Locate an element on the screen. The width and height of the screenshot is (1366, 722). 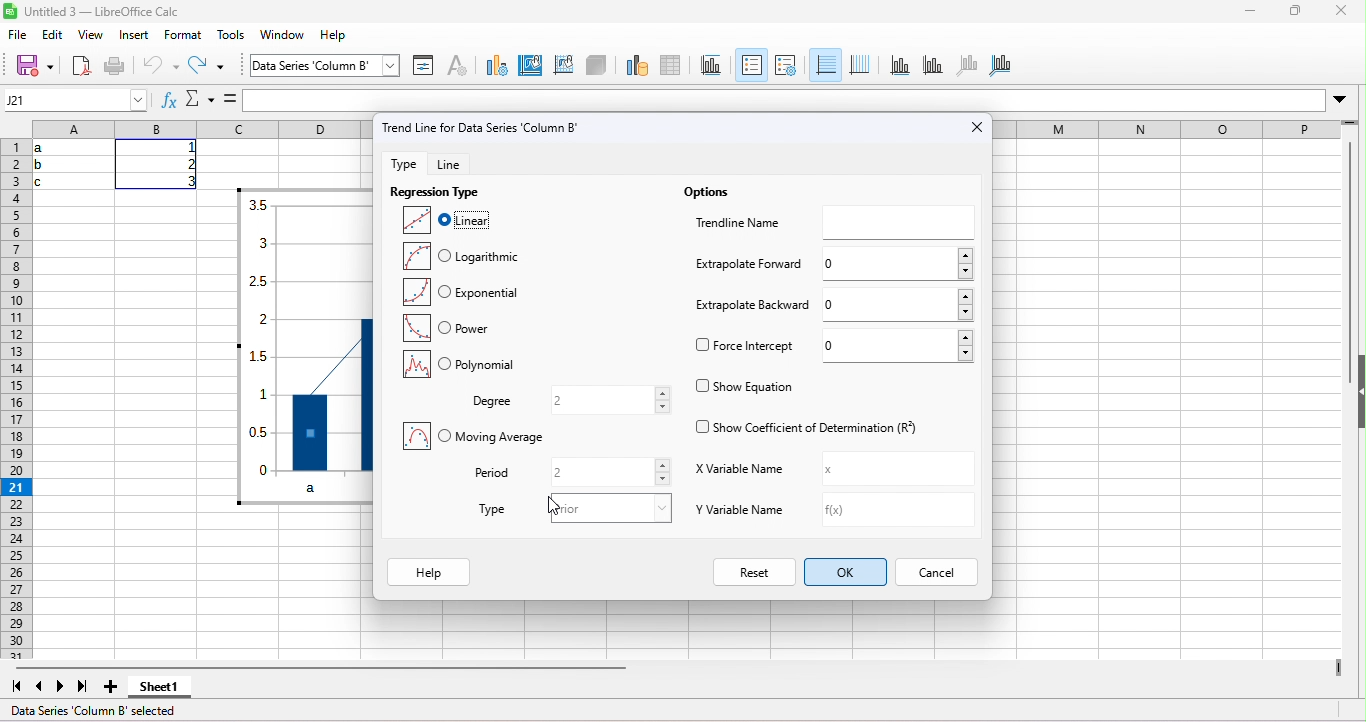
sheet 1 is located at coordinates (170, 686).